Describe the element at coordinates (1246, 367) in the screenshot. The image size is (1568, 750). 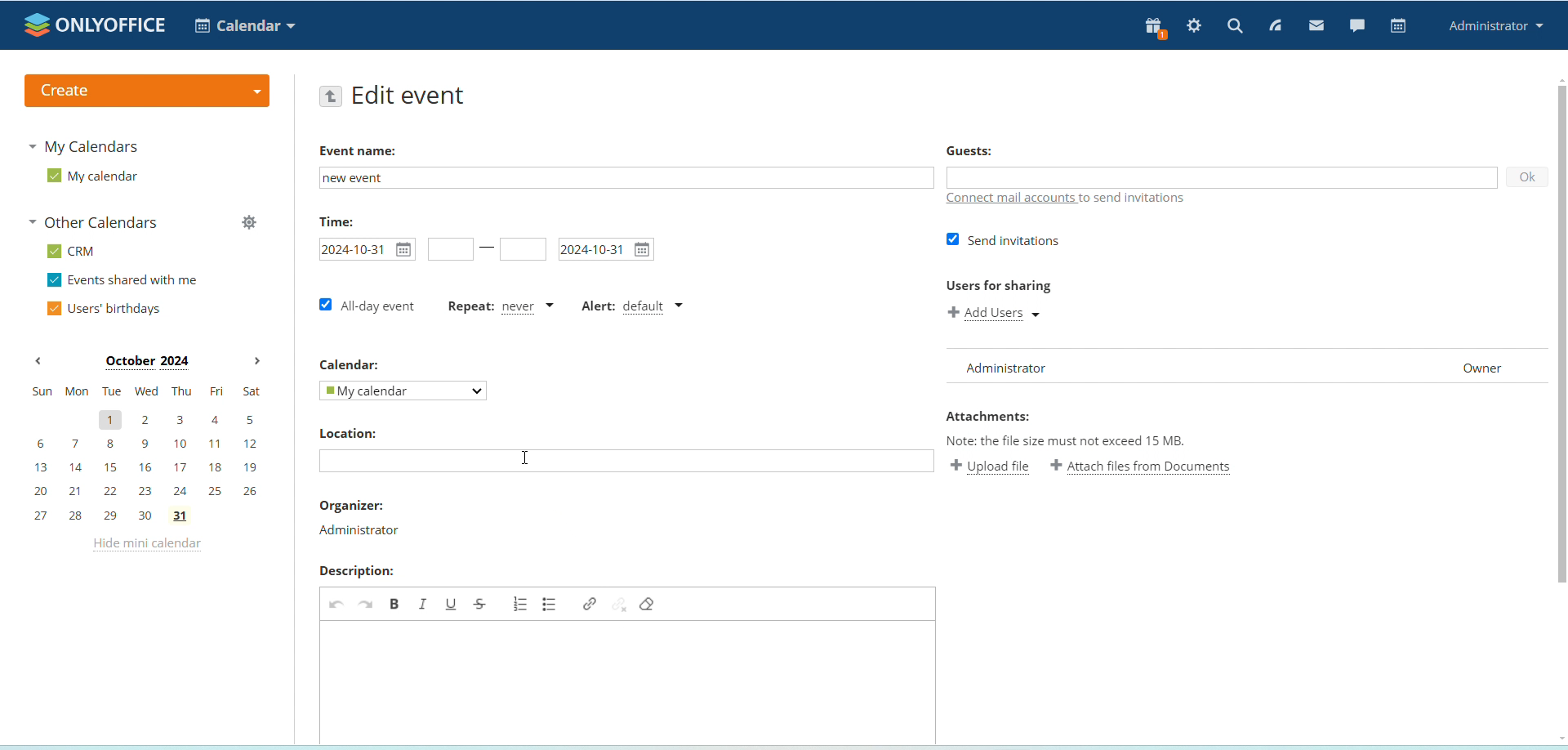
I see `user list` at that location.